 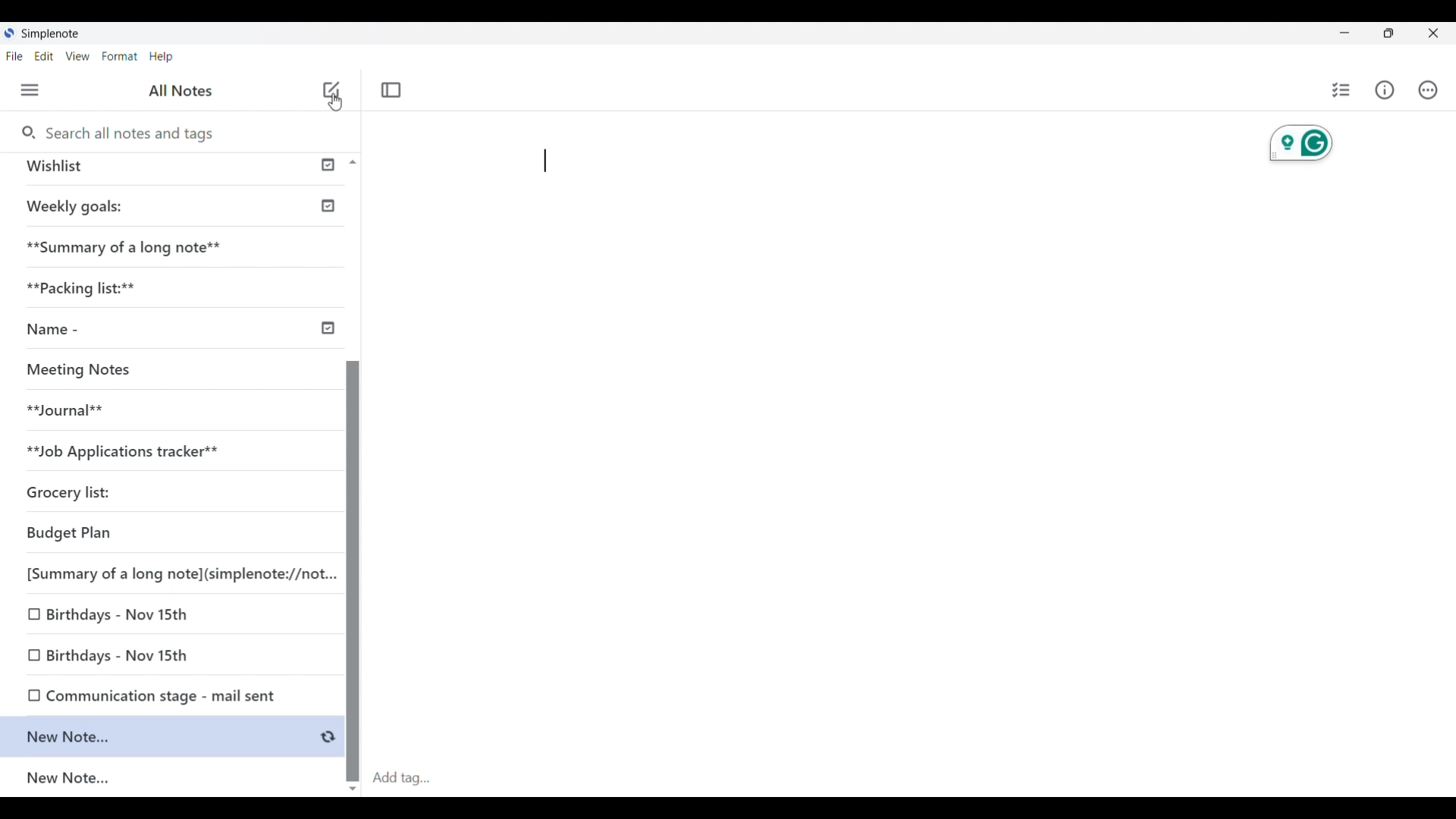 What do you see at coordinates (324, 325) in the screenshot?
I see `timeline` at bounding box center [324, 325].